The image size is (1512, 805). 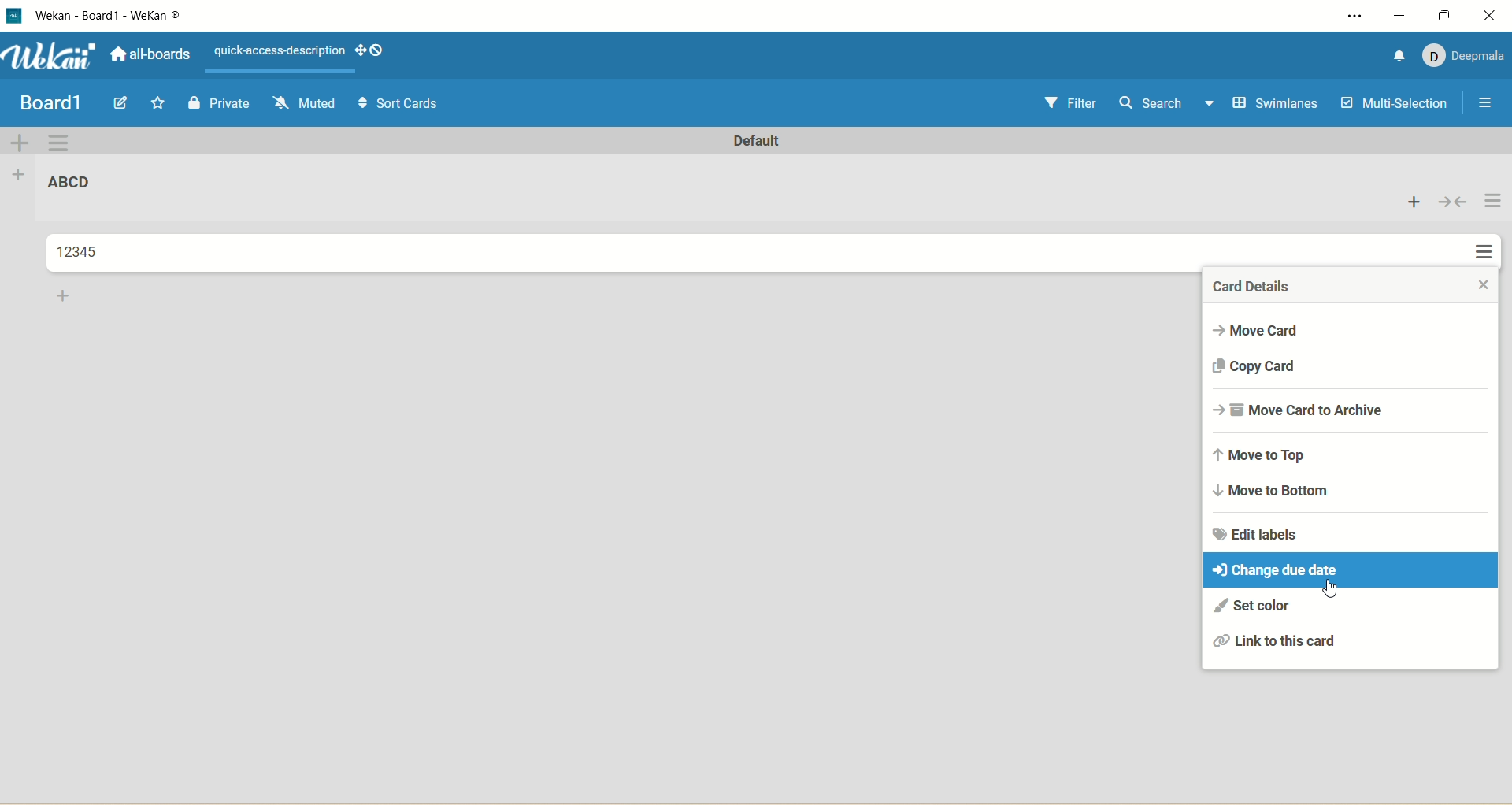 What do you see at coordinates (1074, 104) in the screenshot?
I see `filter` at bounding box center [1074, 104].